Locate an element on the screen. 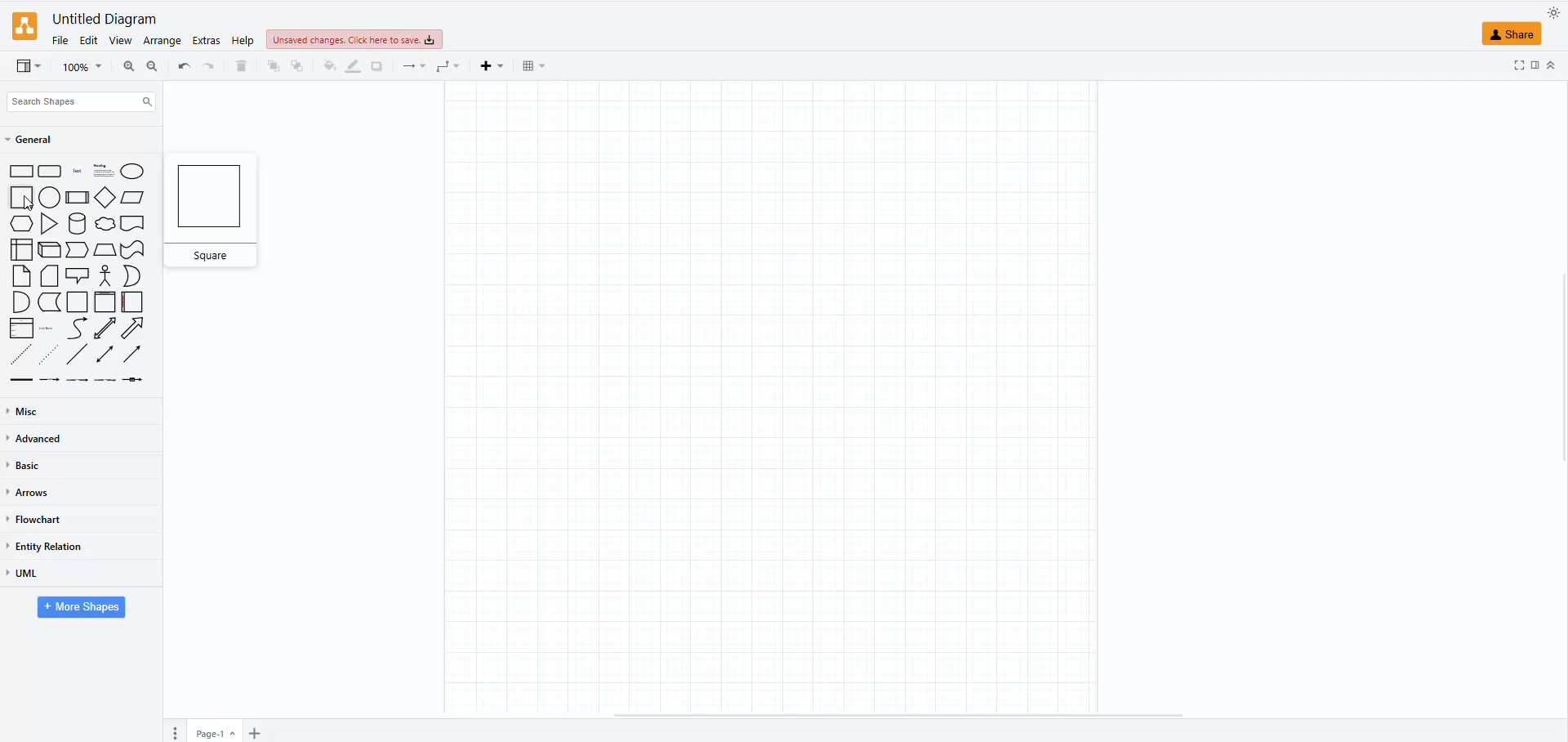  extras is located at coordinates (204, 40).